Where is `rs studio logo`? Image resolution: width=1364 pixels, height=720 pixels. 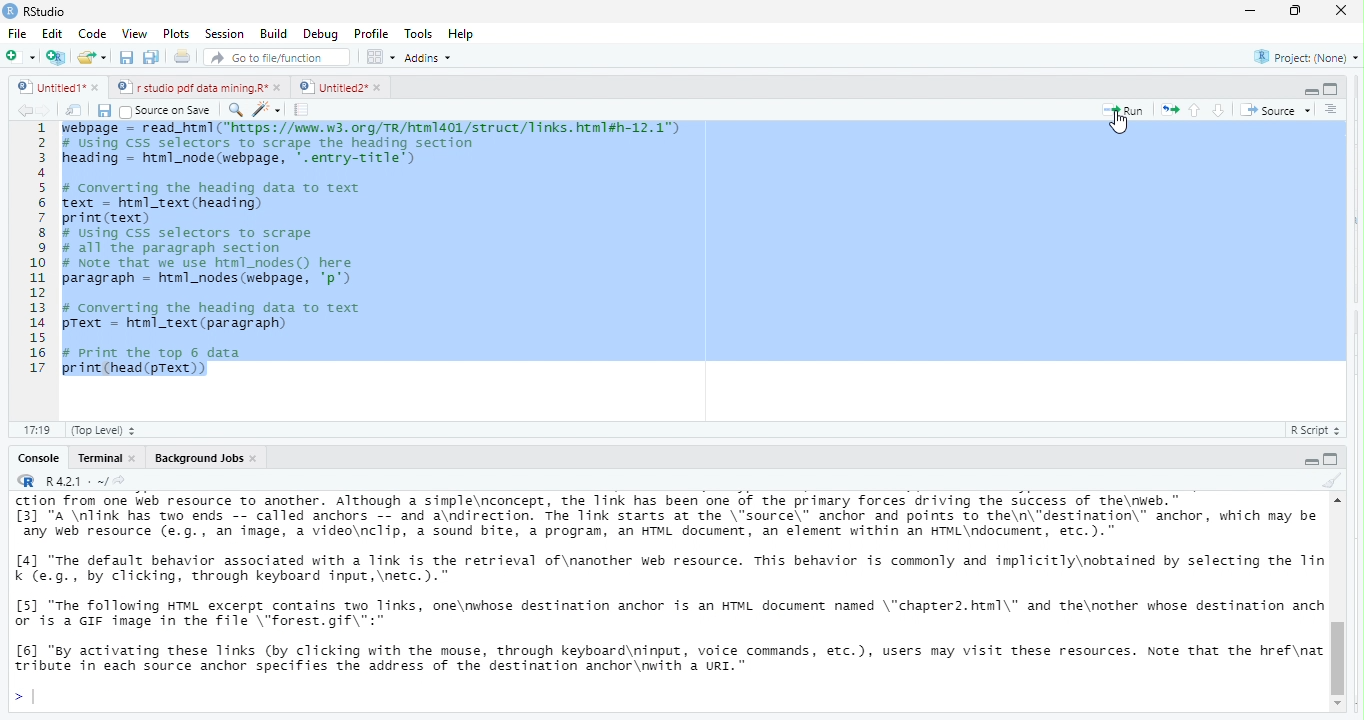 rs studio logo is located at coordinates (10, 10).